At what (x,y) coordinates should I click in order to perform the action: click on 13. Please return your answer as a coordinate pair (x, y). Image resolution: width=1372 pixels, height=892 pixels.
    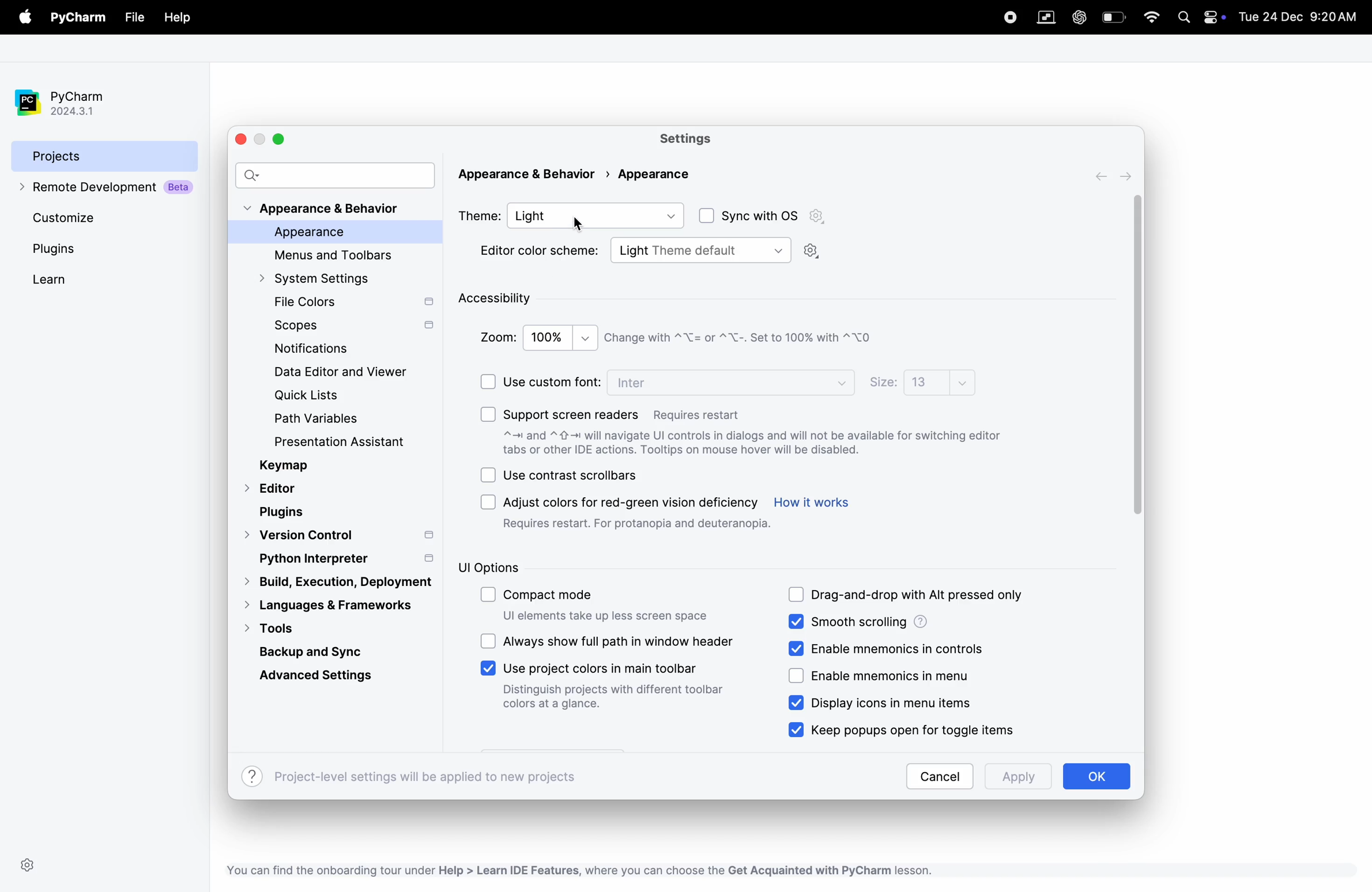
    Looking at the image, I should click on (939, 381).